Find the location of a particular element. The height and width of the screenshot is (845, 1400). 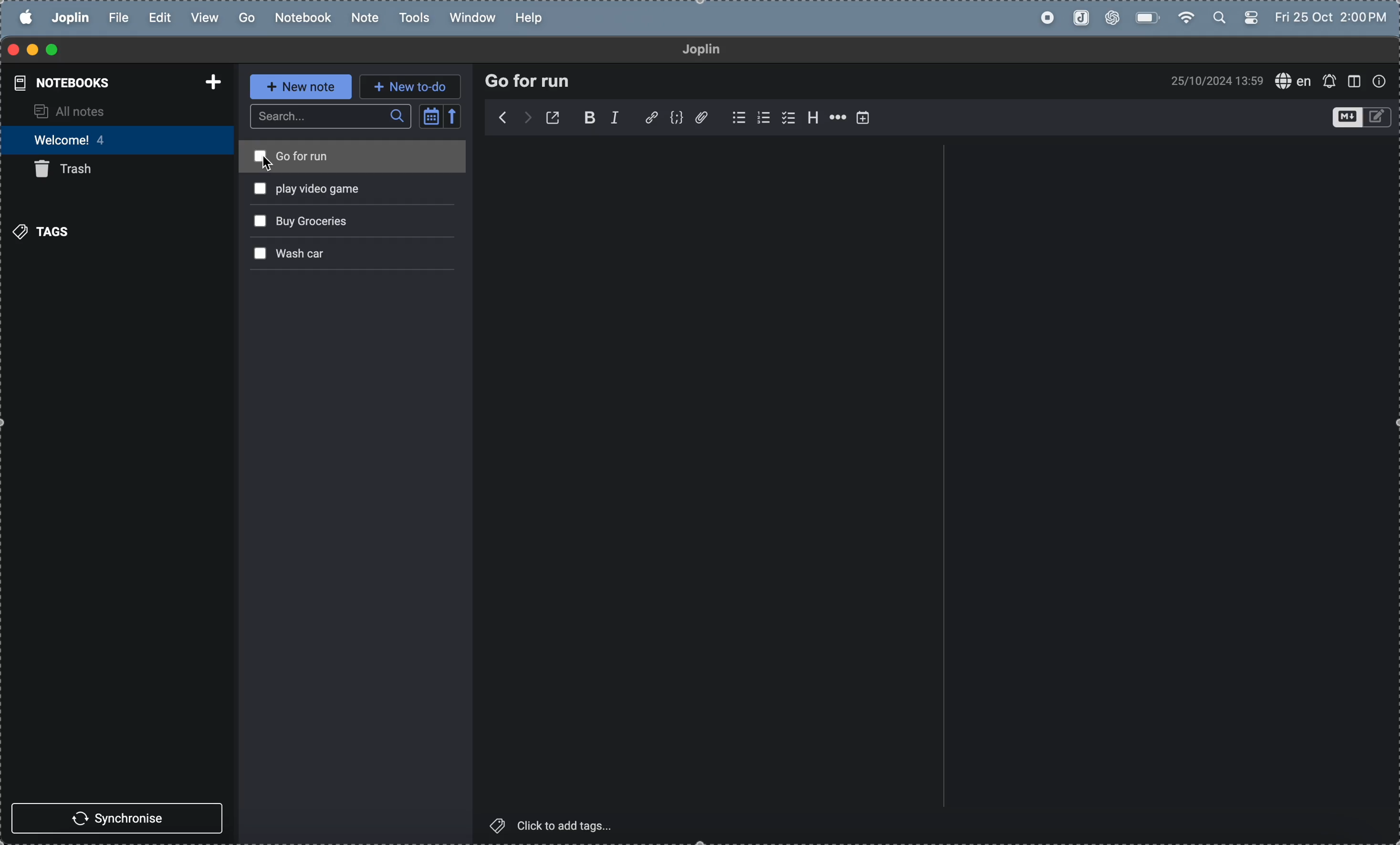

calendar  is located at coordinates (442, 115).